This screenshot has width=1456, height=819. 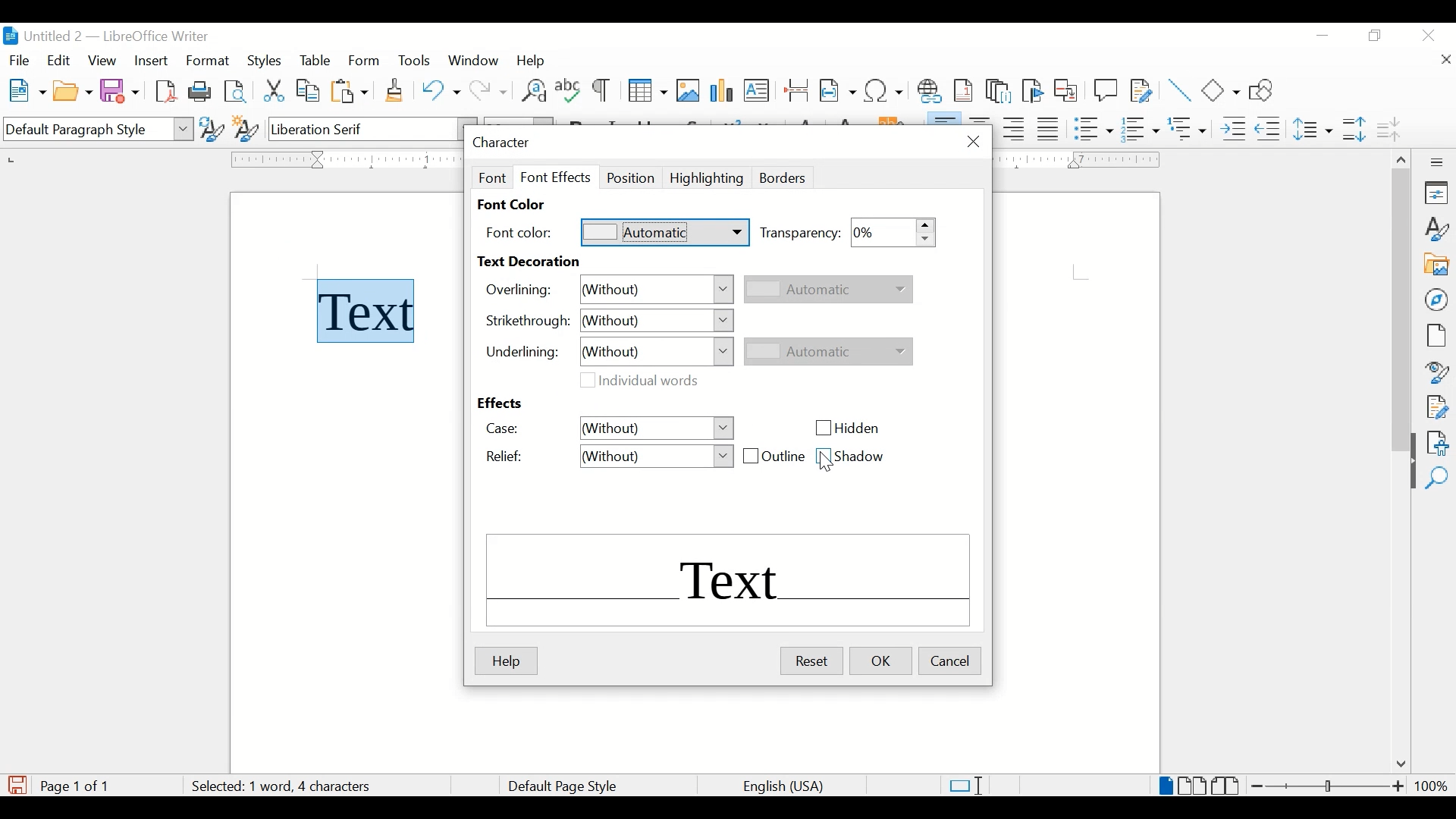 What do you see at coordinates (966, 90) in the screenshot?
I see `insert footnote` at bounding box center [966, 90].